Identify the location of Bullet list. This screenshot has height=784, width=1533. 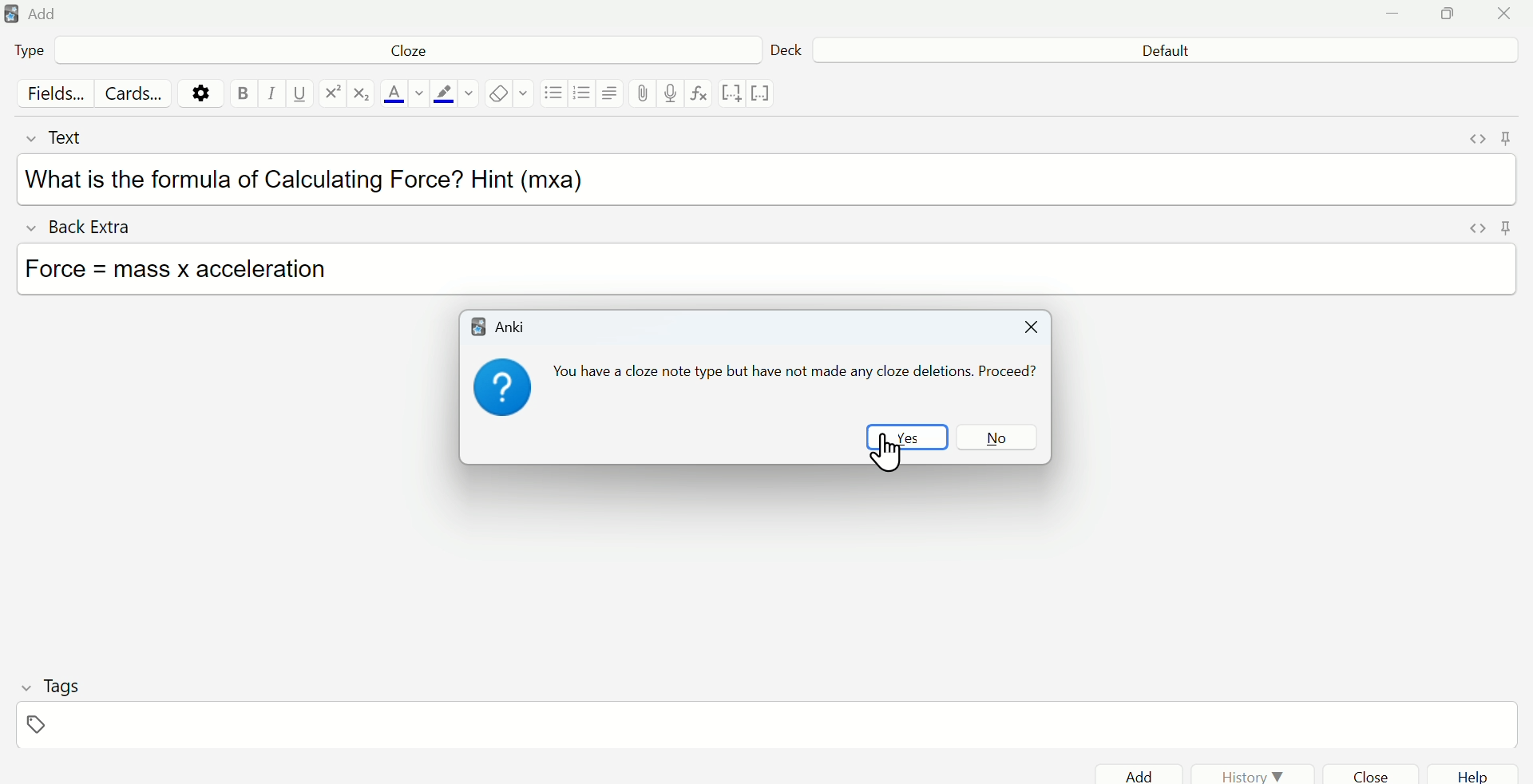
(553, 97).